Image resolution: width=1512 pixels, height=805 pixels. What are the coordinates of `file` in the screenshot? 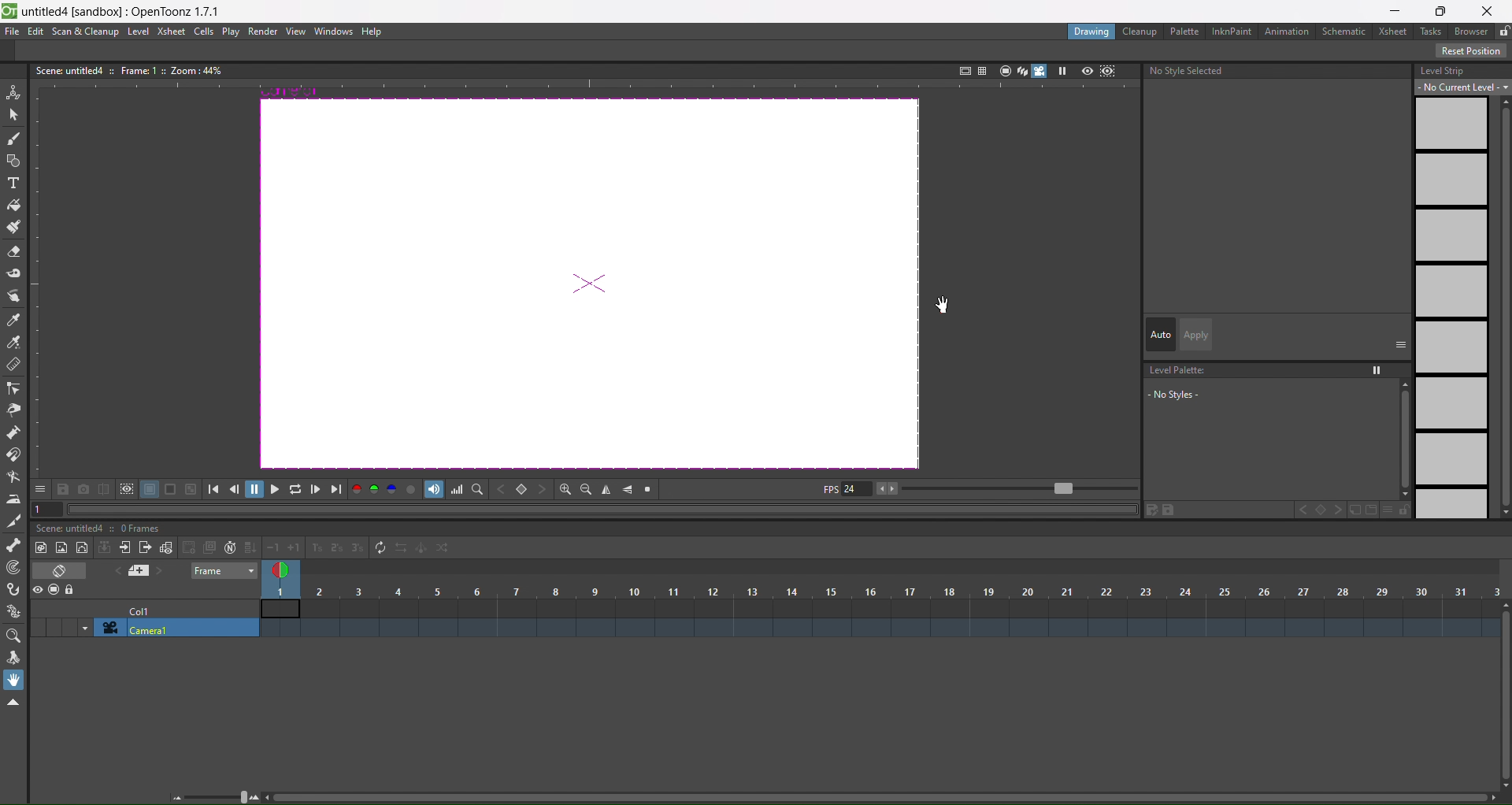 It's located at (13, 32).